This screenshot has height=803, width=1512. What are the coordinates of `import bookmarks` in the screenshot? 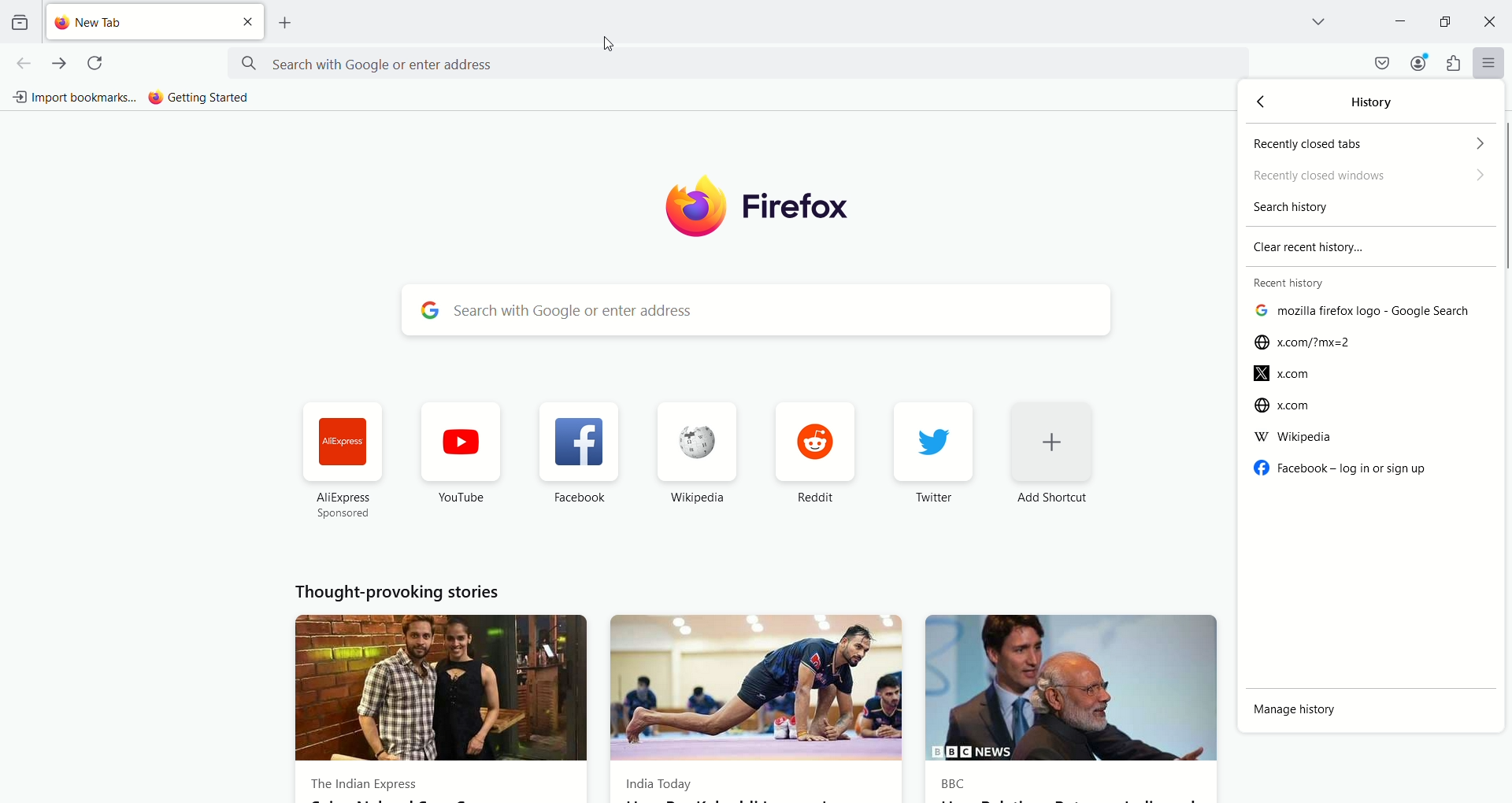 It's located at (70, 98).